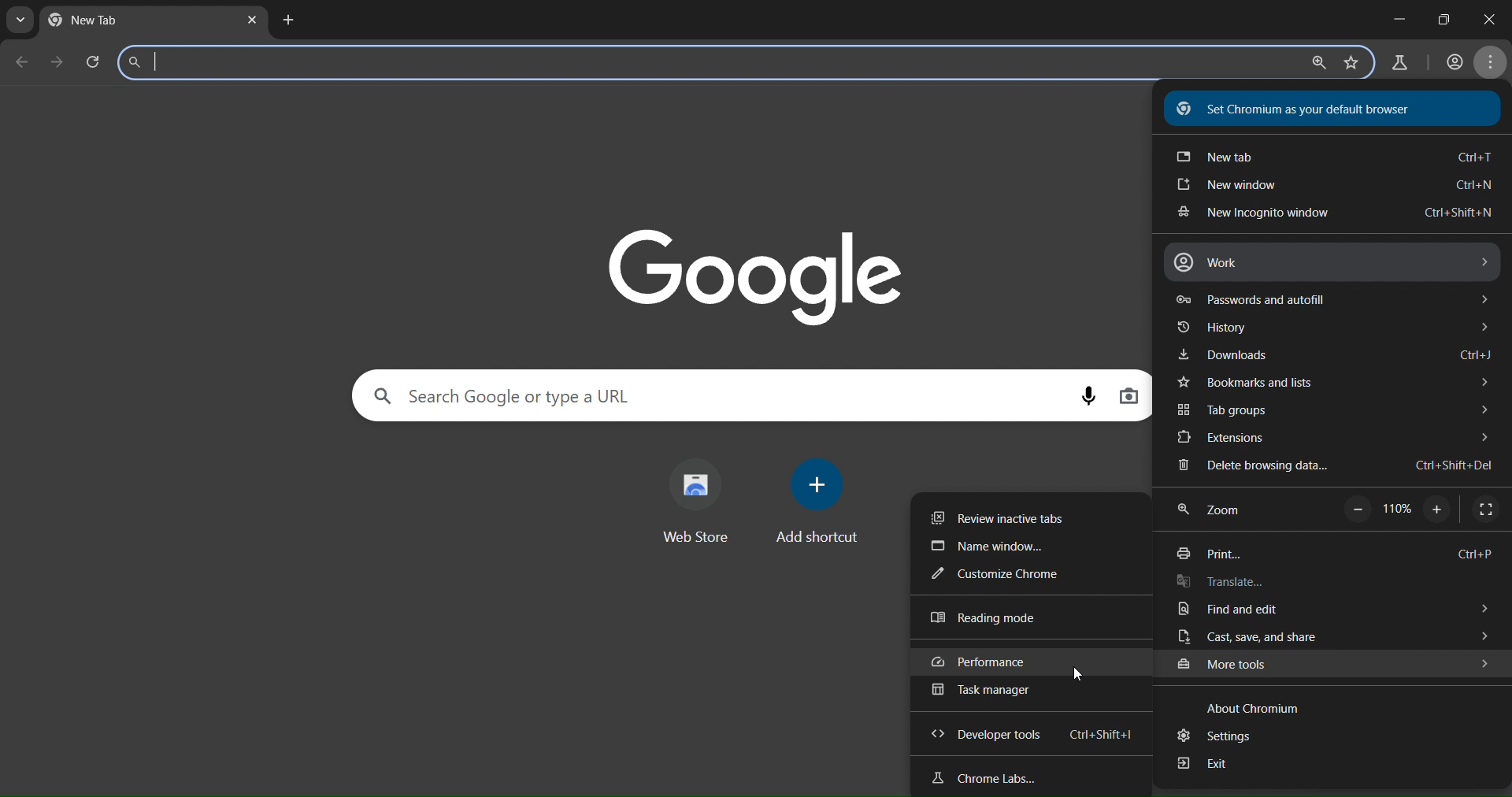 This screenshot has height=797, width=1512. What do you see at coordinates (1329, 329) in the screenshot?
I see `history` at bounding box center [1329, 329].